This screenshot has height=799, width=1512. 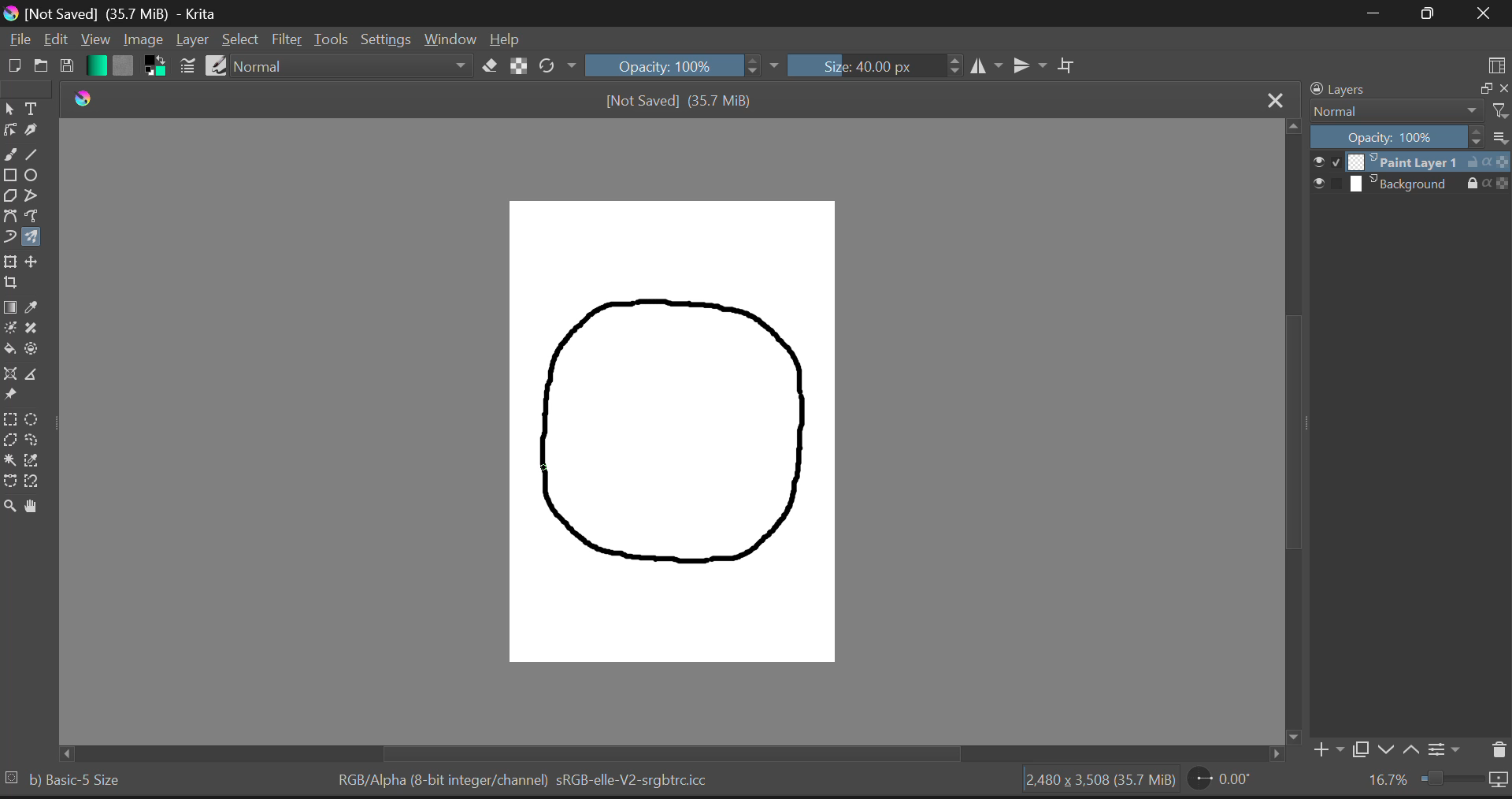 I want to click on Dynamic Brush, so click(x=9, y=237).